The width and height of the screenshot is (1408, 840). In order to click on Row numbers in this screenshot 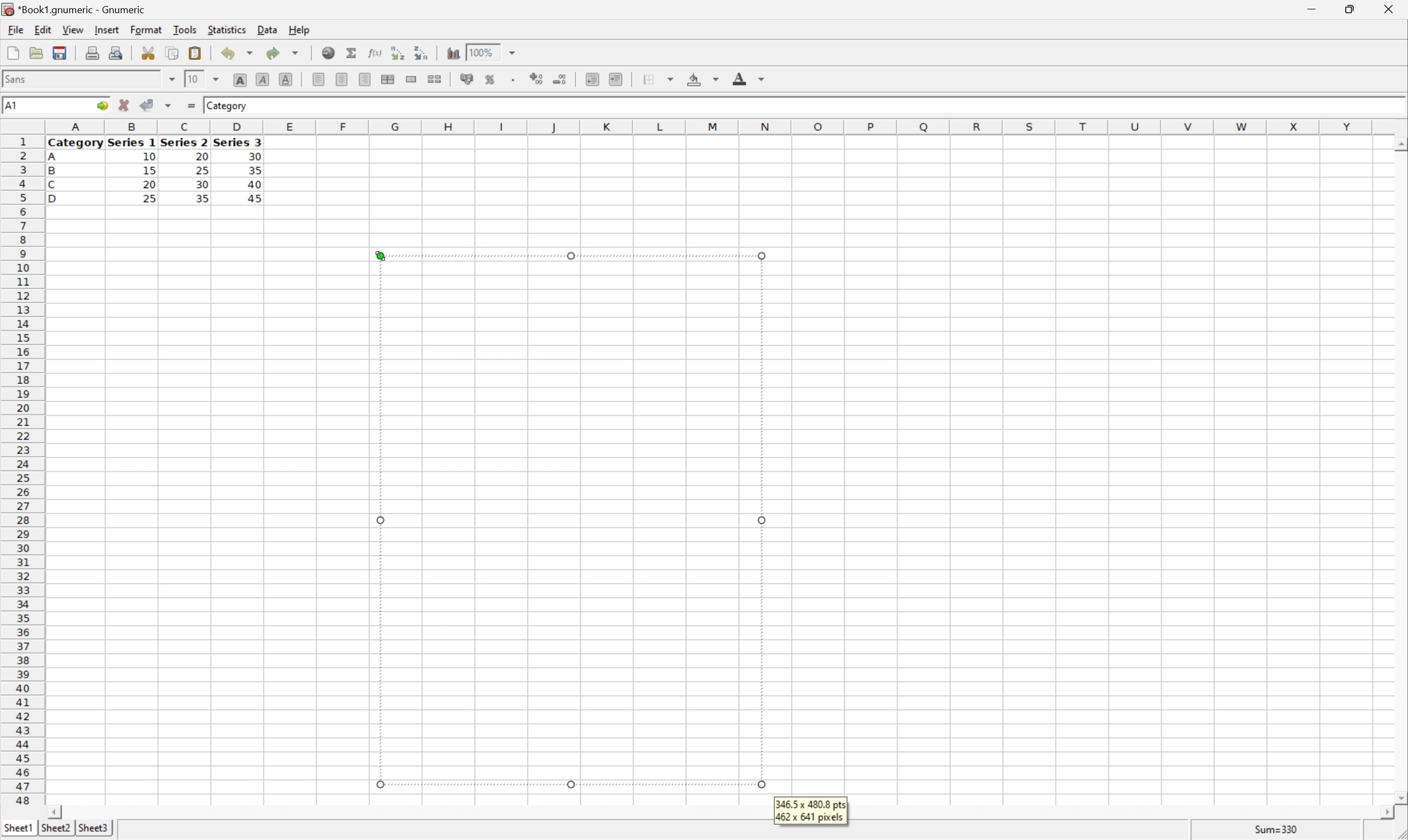, I will do `click(21, 470)`.